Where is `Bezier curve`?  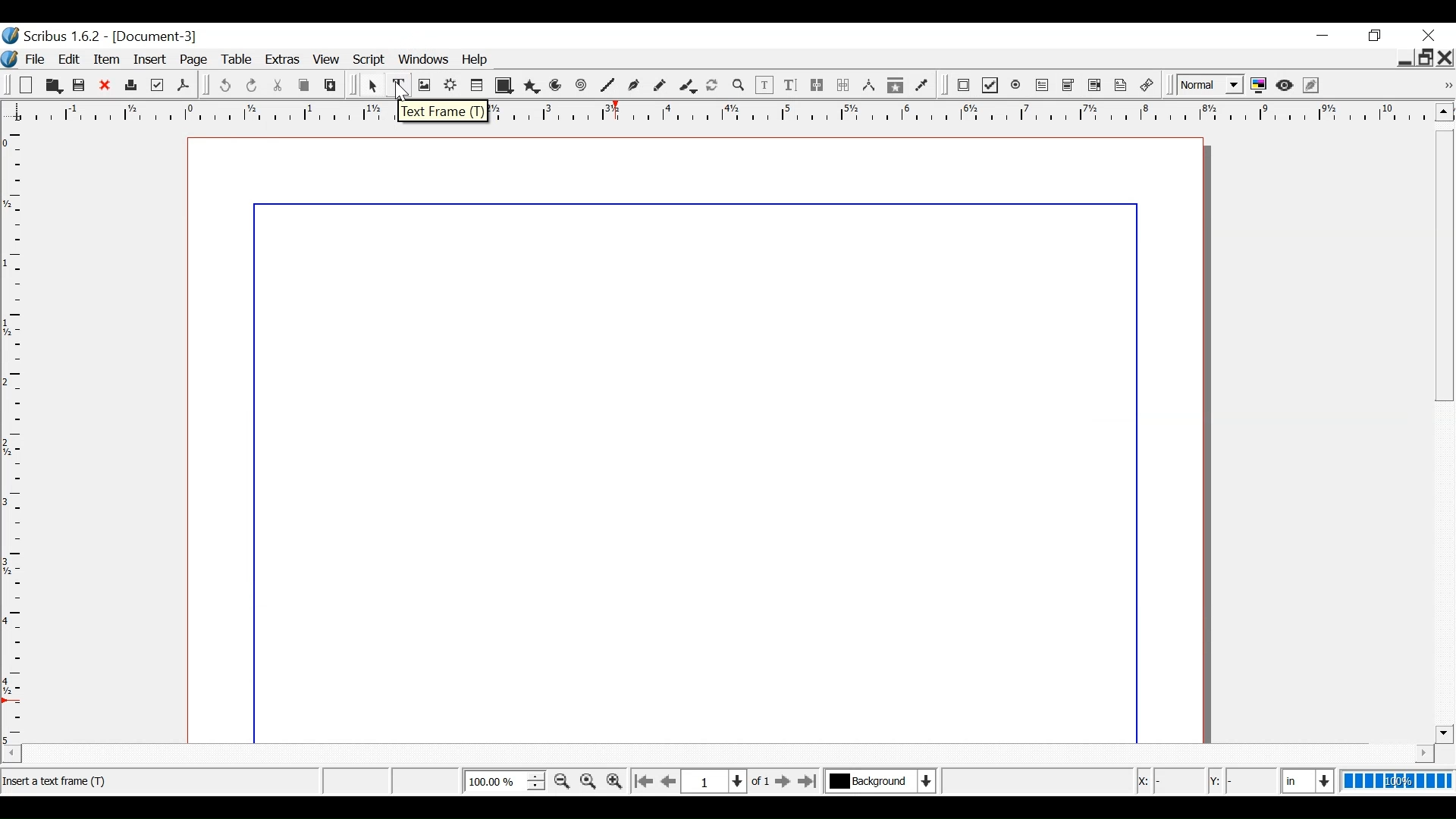 Bezier curve is located at coordinates (633, 87).